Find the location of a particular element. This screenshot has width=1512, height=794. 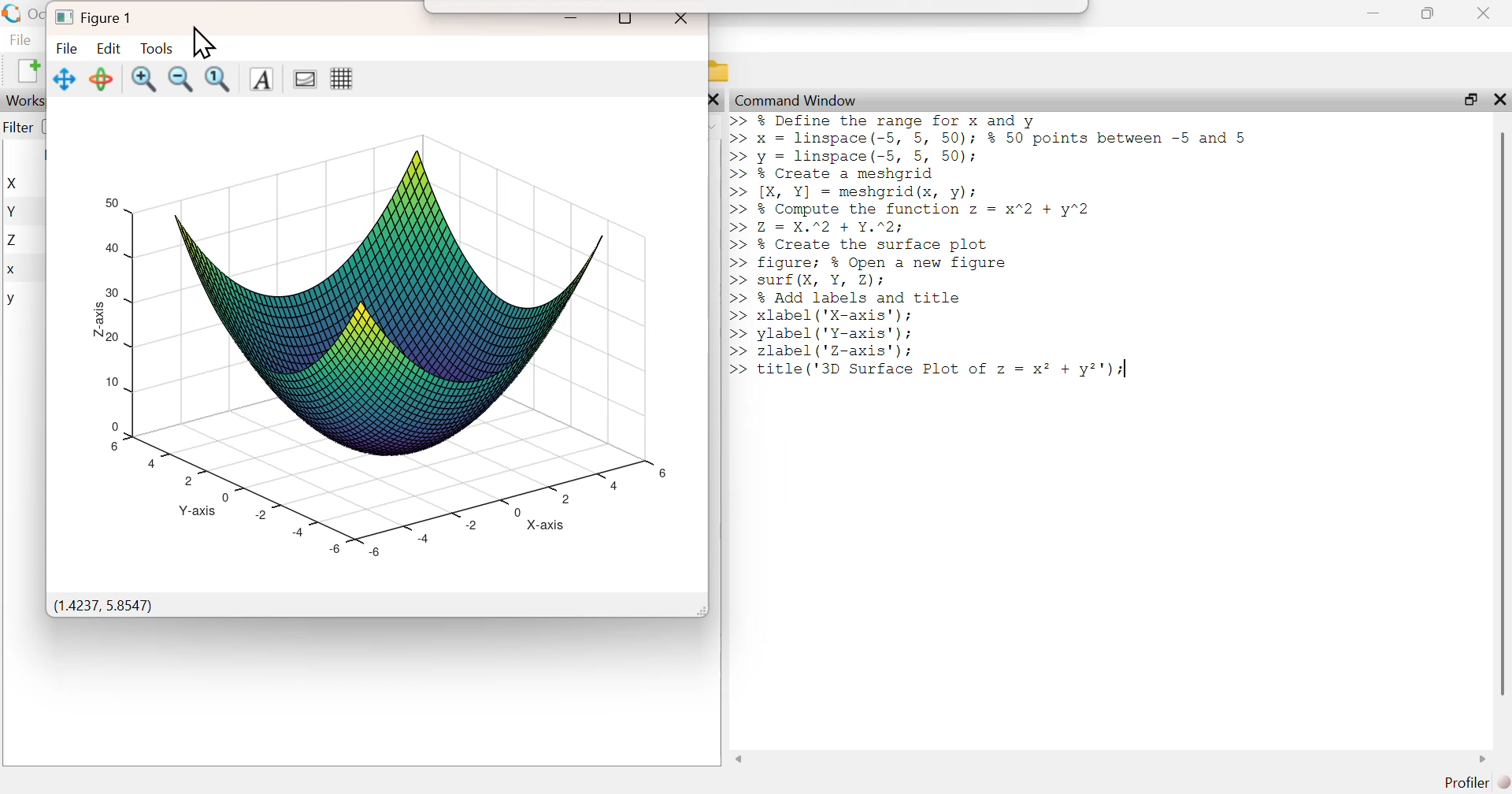

close is located at coordinates (713, 99).